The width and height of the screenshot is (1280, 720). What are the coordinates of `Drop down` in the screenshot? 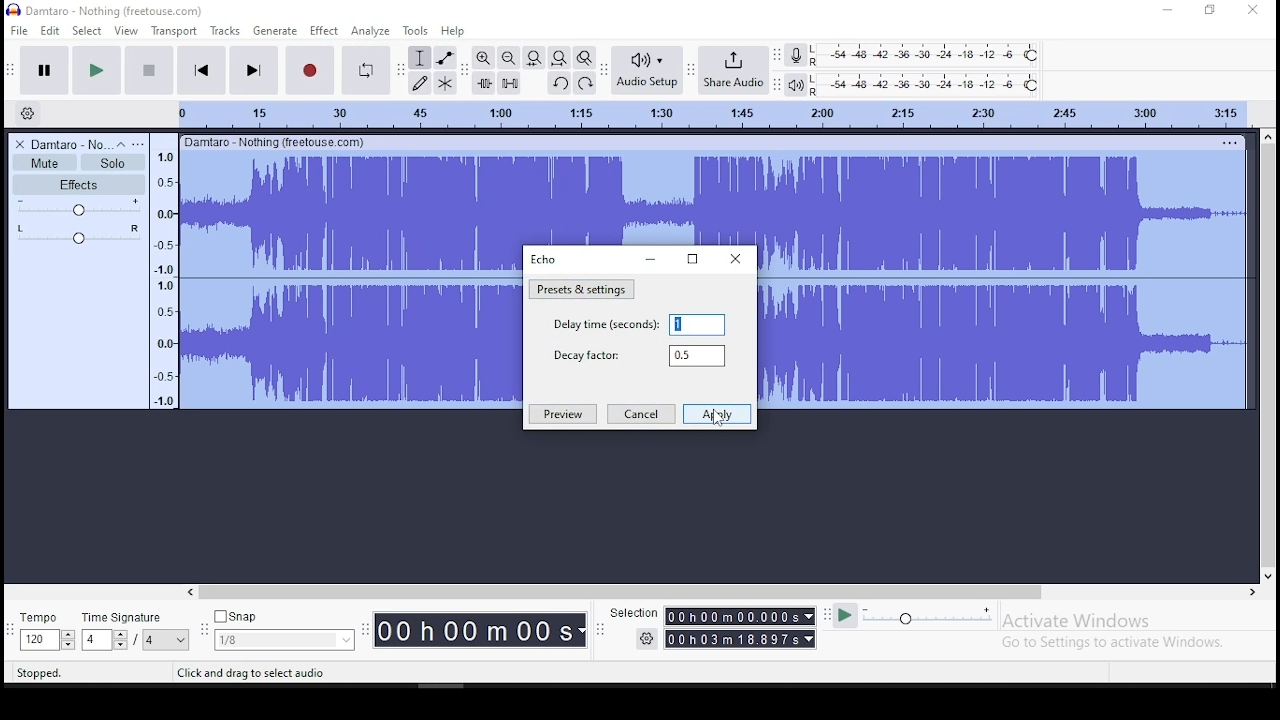 It's located at (582, 631).